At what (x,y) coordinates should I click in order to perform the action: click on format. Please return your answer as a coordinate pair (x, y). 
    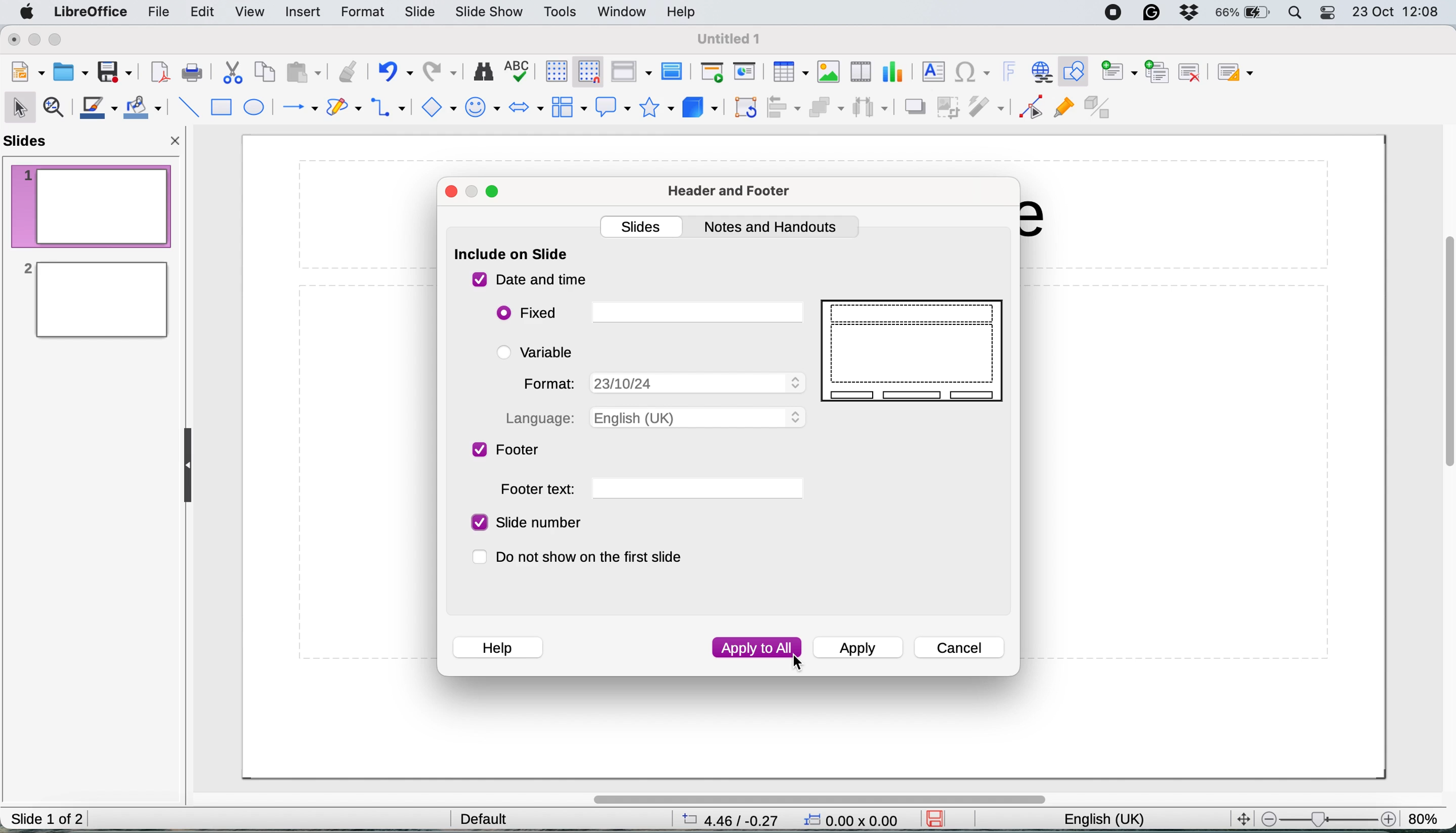
    Looking at the image, I should click on (661, 382).